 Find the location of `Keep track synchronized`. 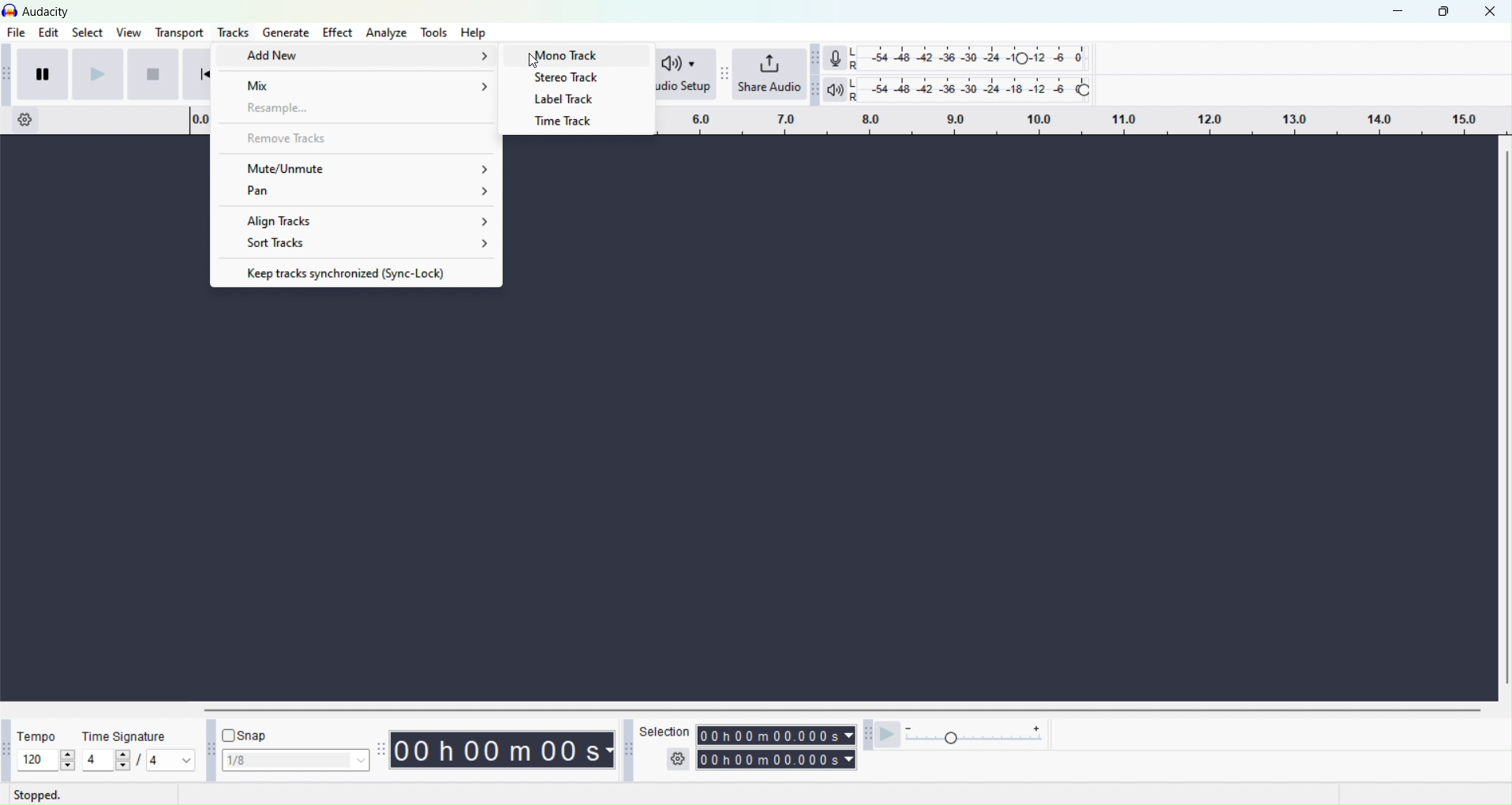

Keep track synchronized is located at coordinates (356, 271).